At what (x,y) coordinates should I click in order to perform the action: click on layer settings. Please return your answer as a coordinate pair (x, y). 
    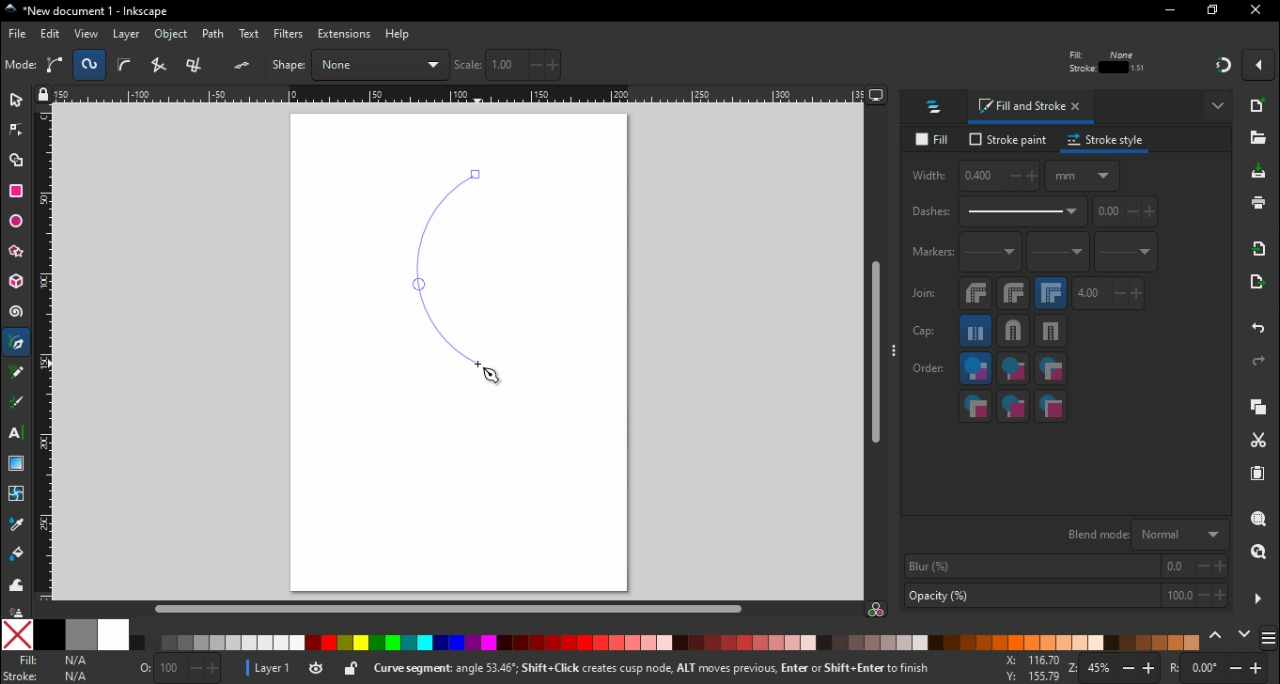
    Looking at the image, I should click on (302, 669).